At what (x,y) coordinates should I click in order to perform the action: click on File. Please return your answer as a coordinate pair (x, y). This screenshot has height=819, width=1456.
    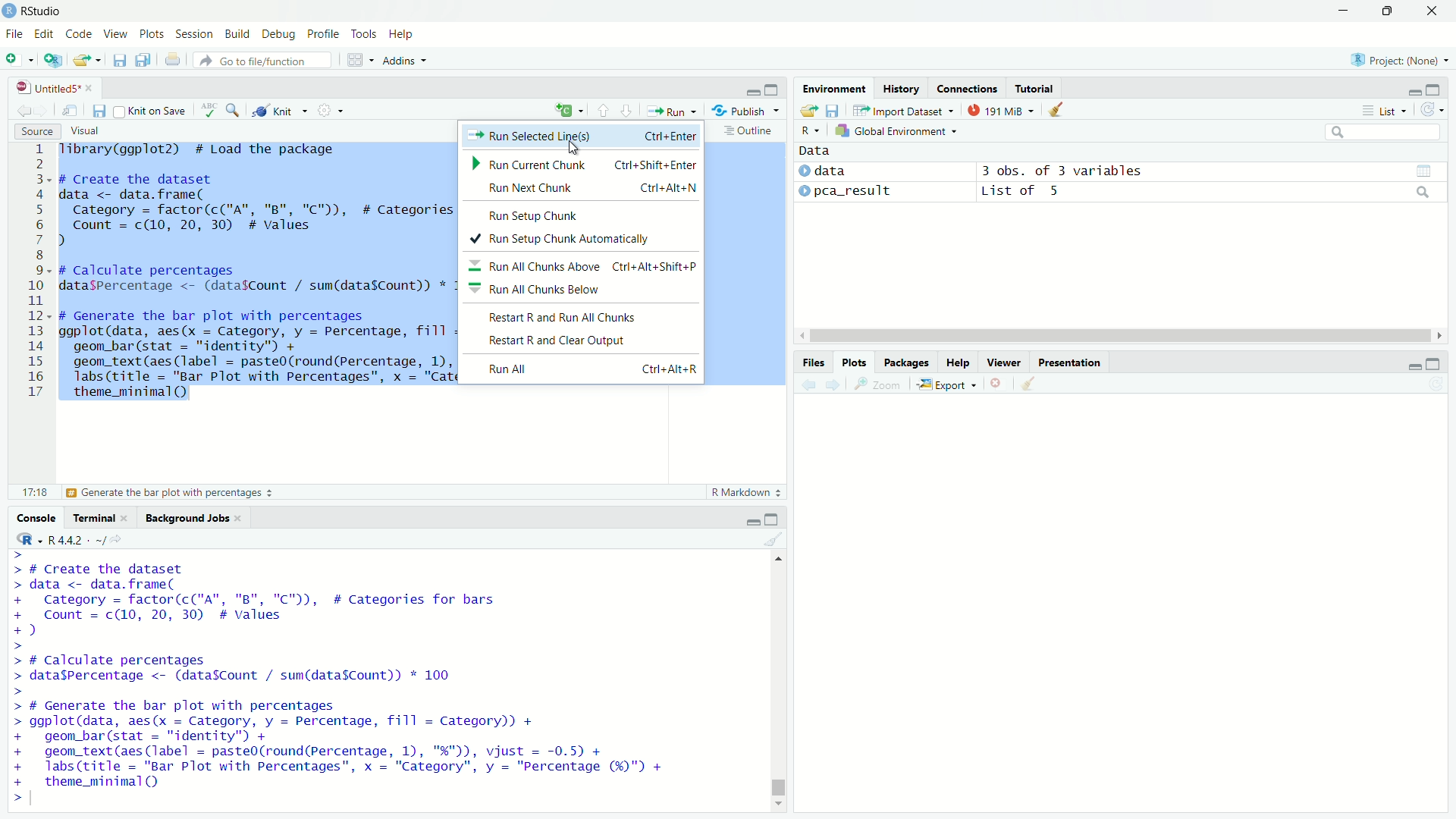
    Looking at the image, I should click on (15, 35).